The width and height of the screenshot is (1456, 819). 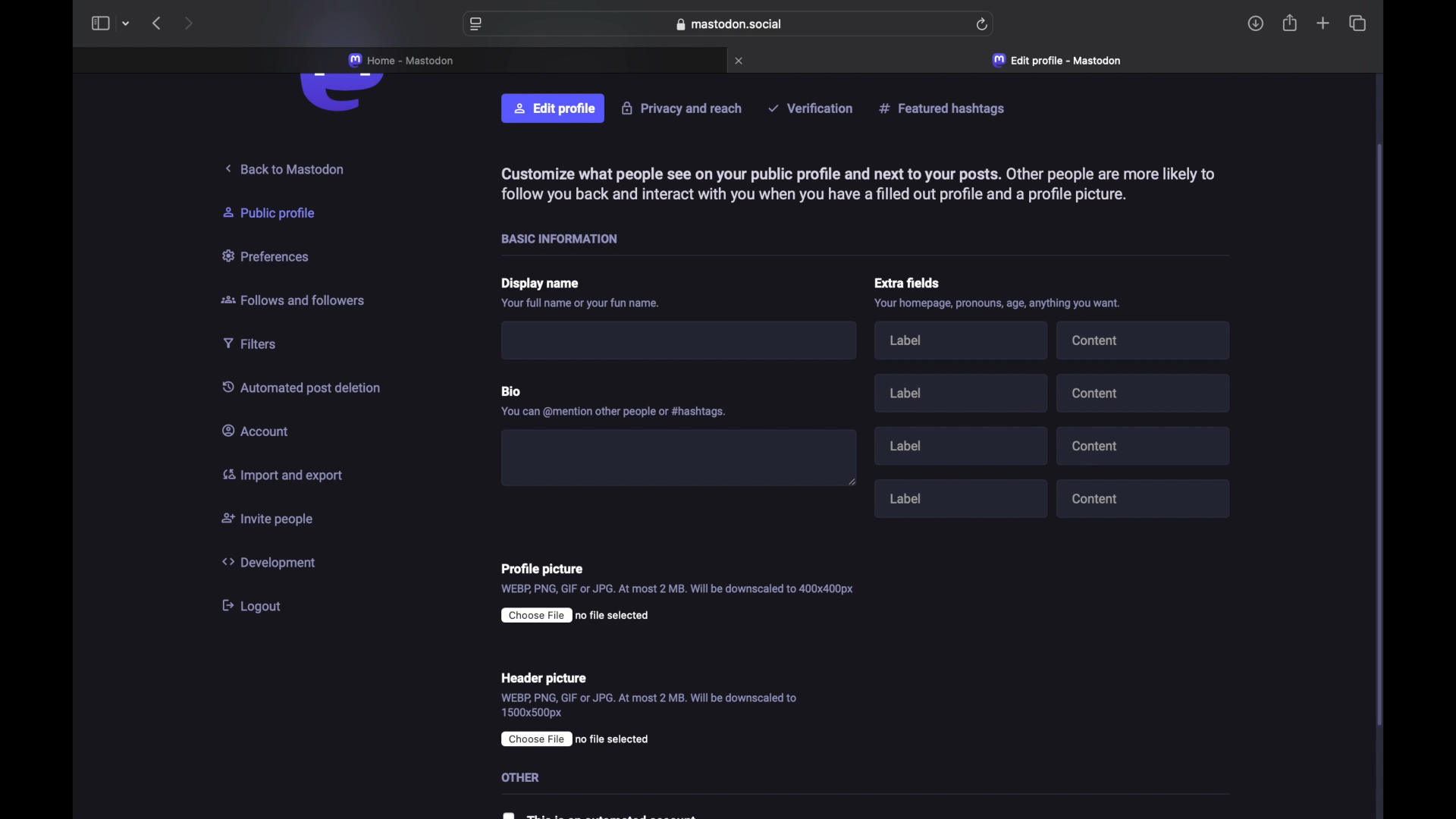 I want to click on bio text field, so click(x=679, y=455).